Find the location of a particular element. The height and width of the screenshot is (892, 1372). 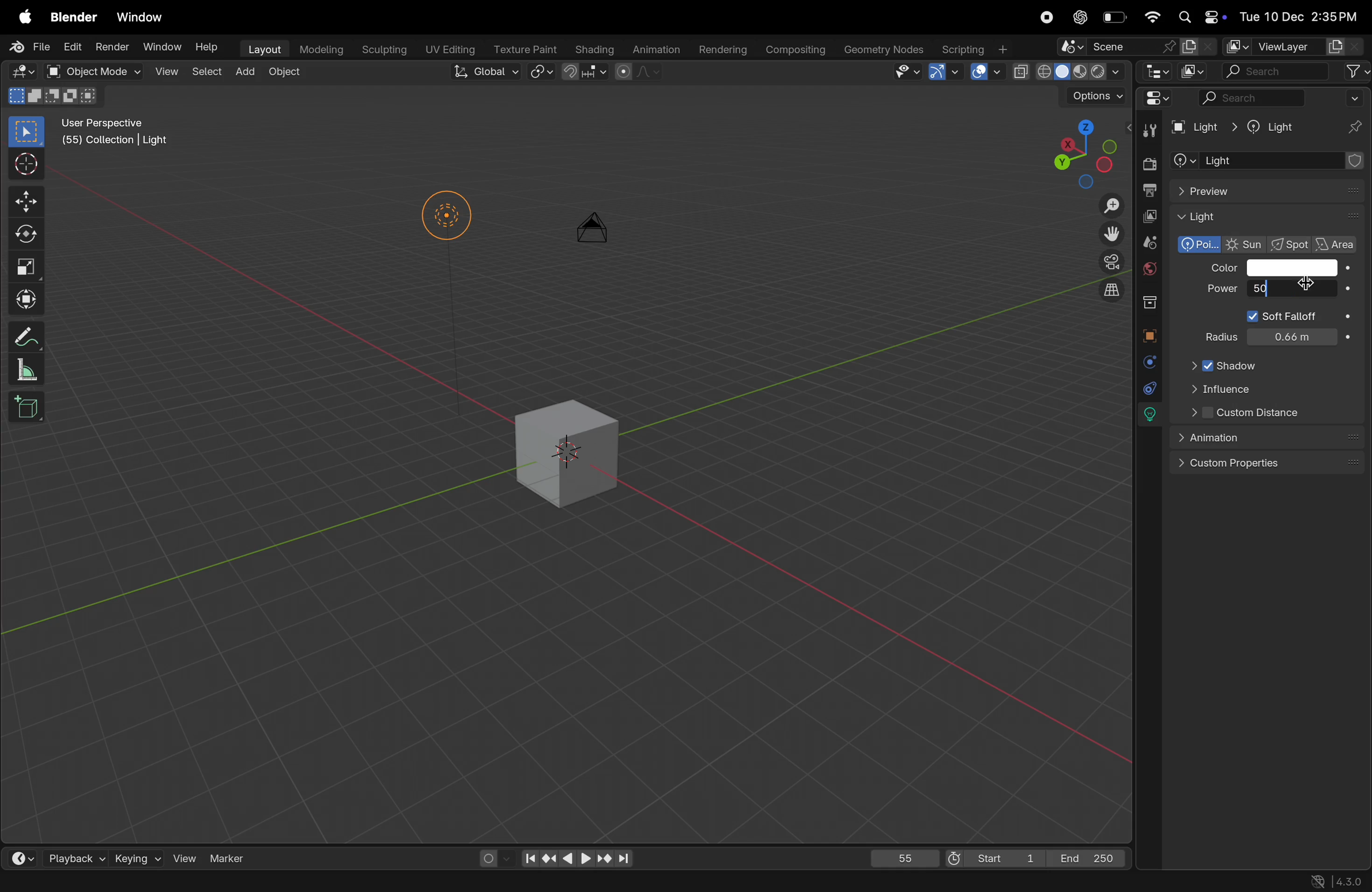

editor type is located at coordinates (1155, 71).